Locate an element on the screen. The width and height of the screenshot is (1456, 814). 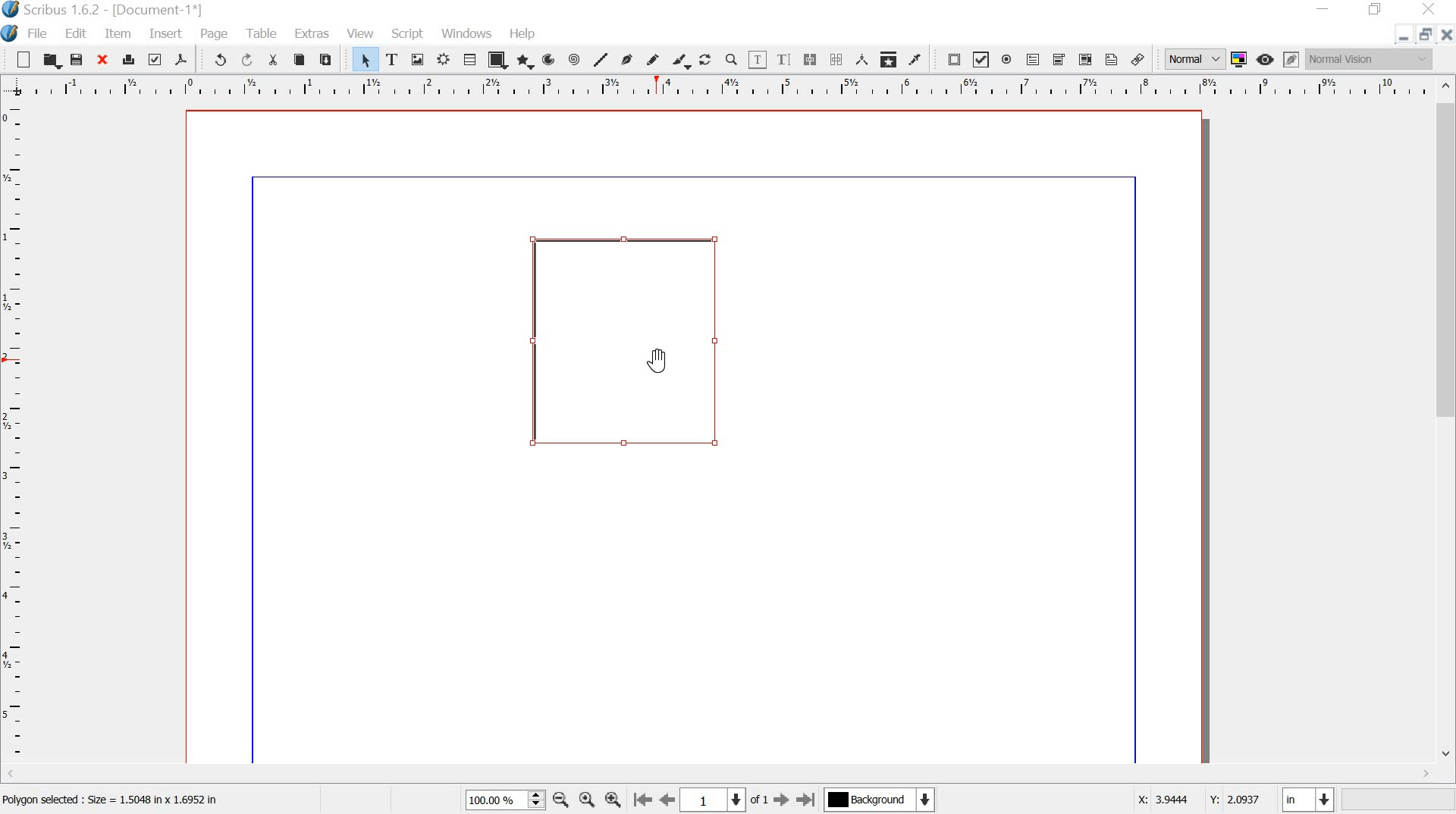
1 is located at coordinates (713, 800).